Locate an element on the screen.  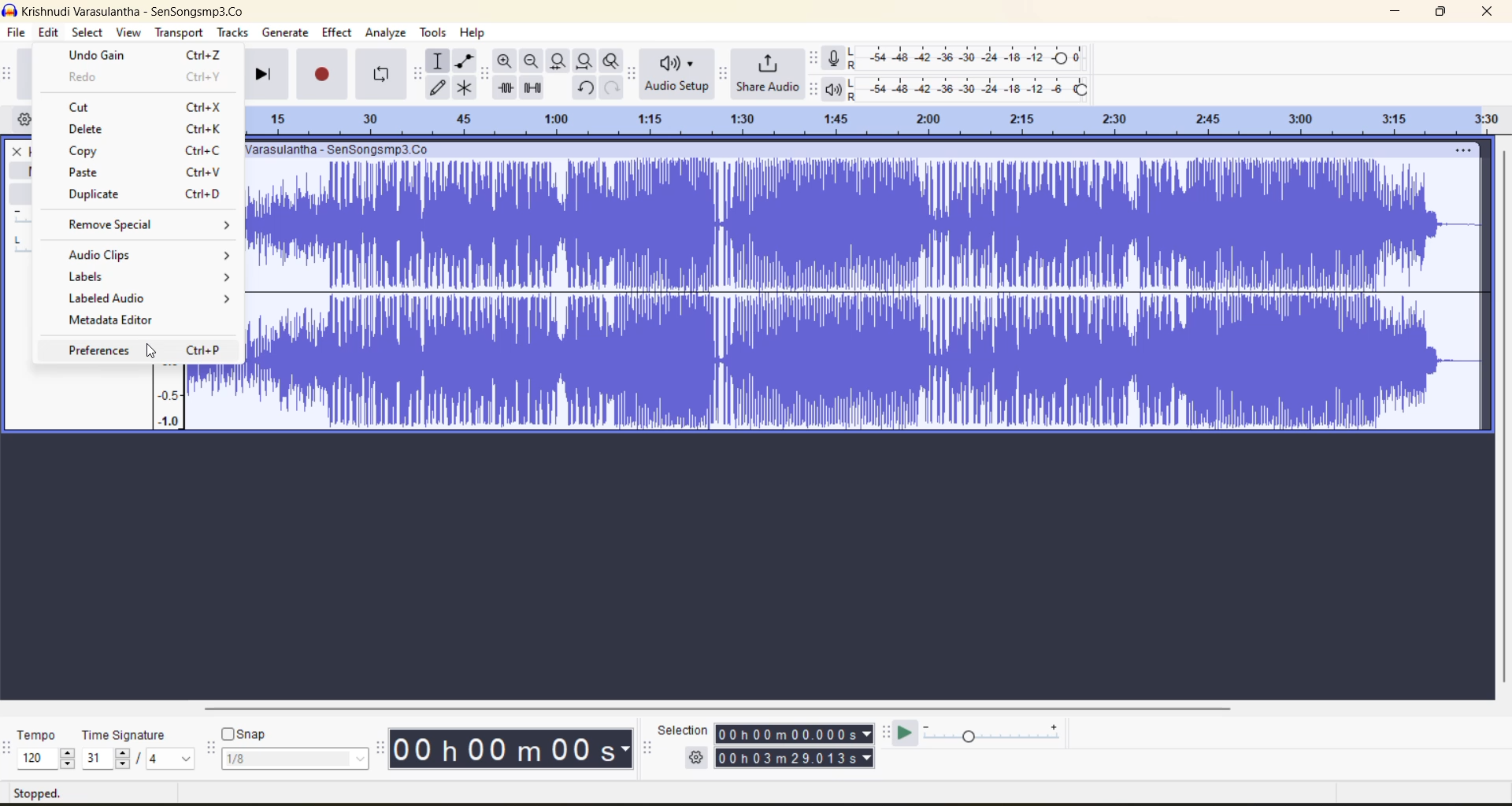
skip to end is located at coordinates (262, 72).